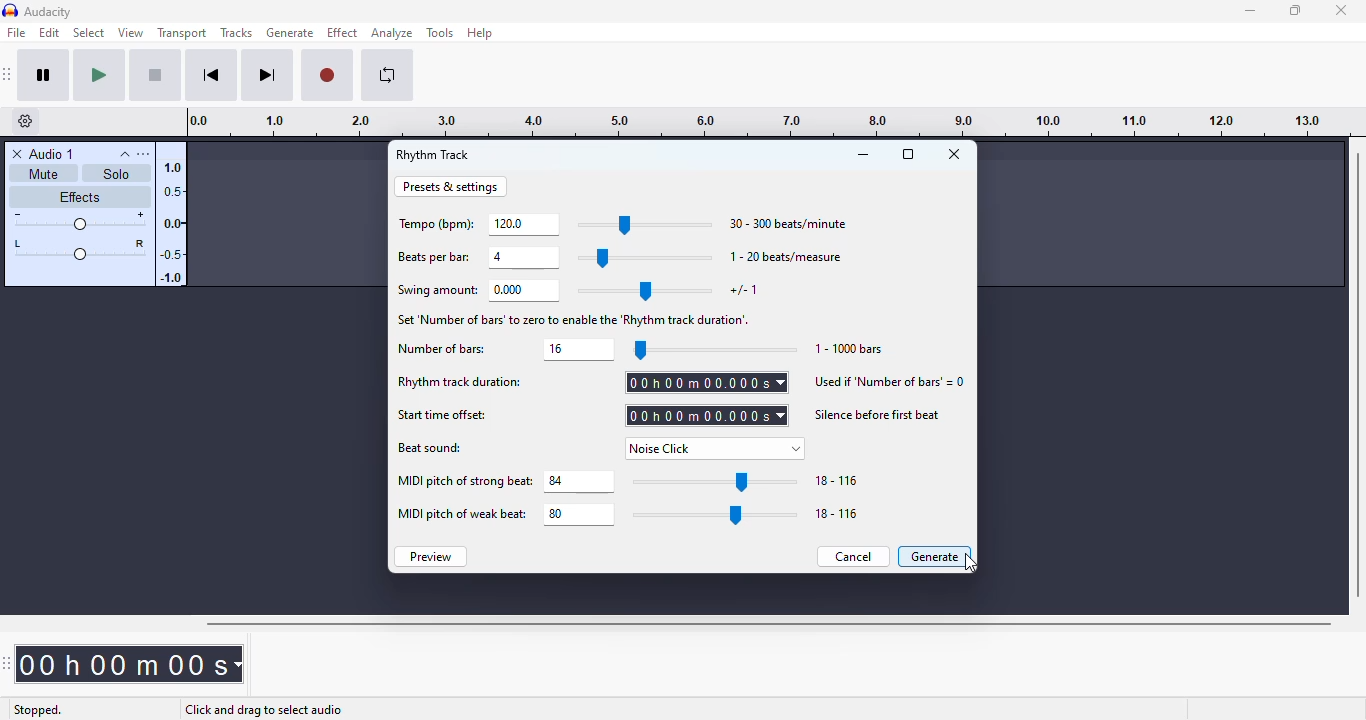 The image size is (1366, 720). I want to click on effect, so click(343, 32).